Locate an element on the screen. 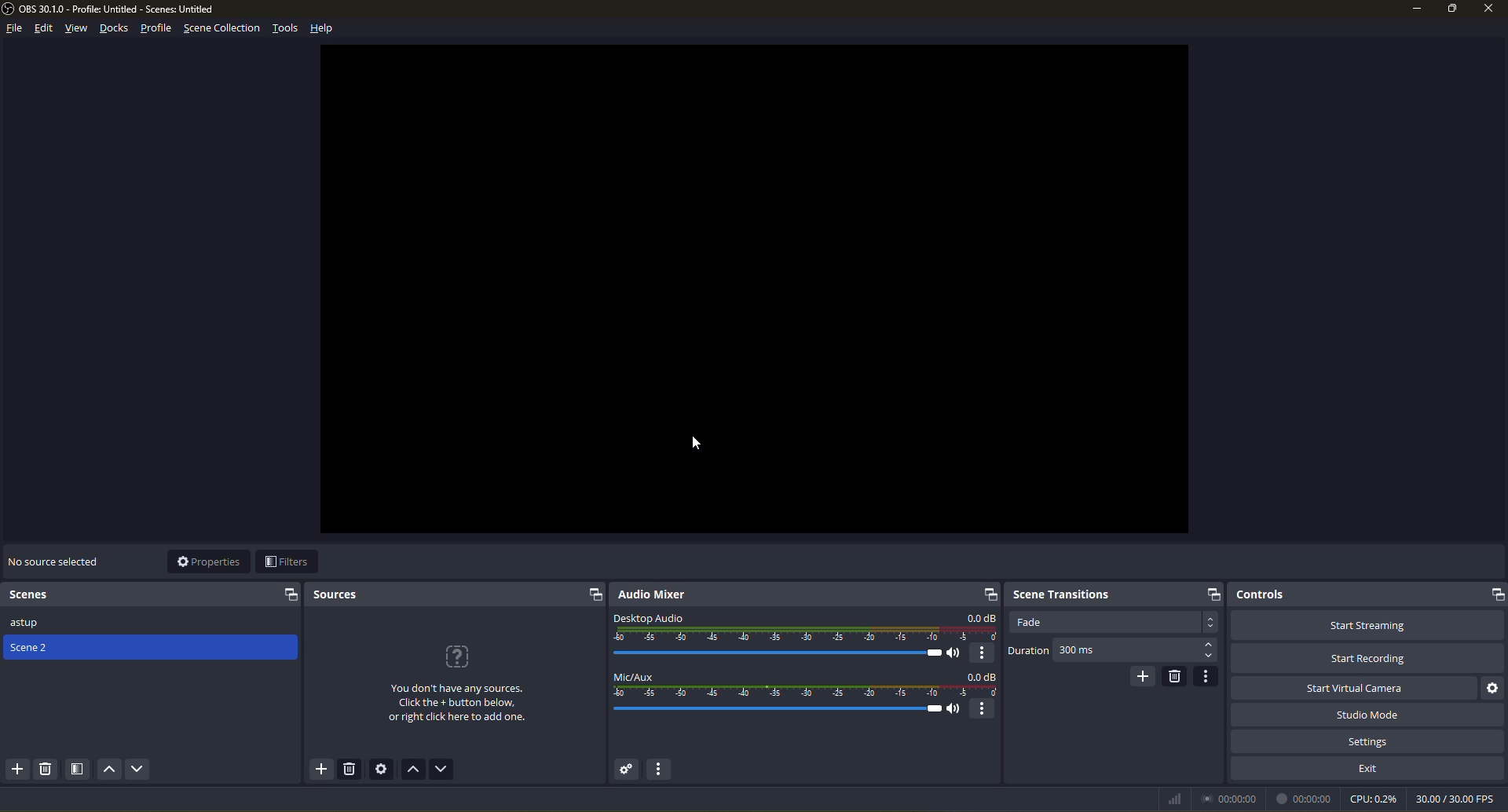 Image resolution: width=1508 pixels, height=812 pixels. select down is located at coordinates (1210, 657).